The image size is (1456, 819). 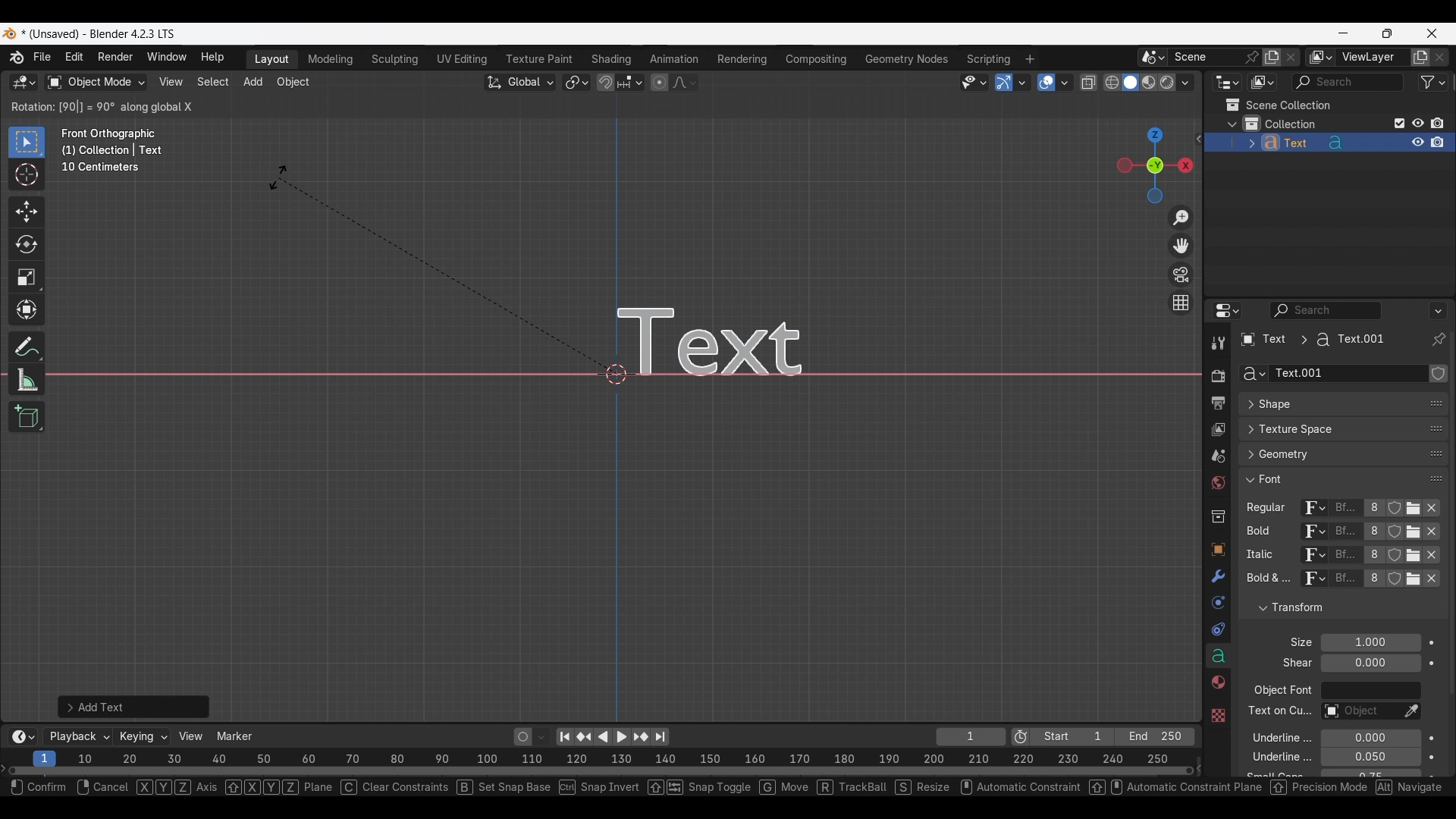 I want to click on Move, so click(x=27, y=212).